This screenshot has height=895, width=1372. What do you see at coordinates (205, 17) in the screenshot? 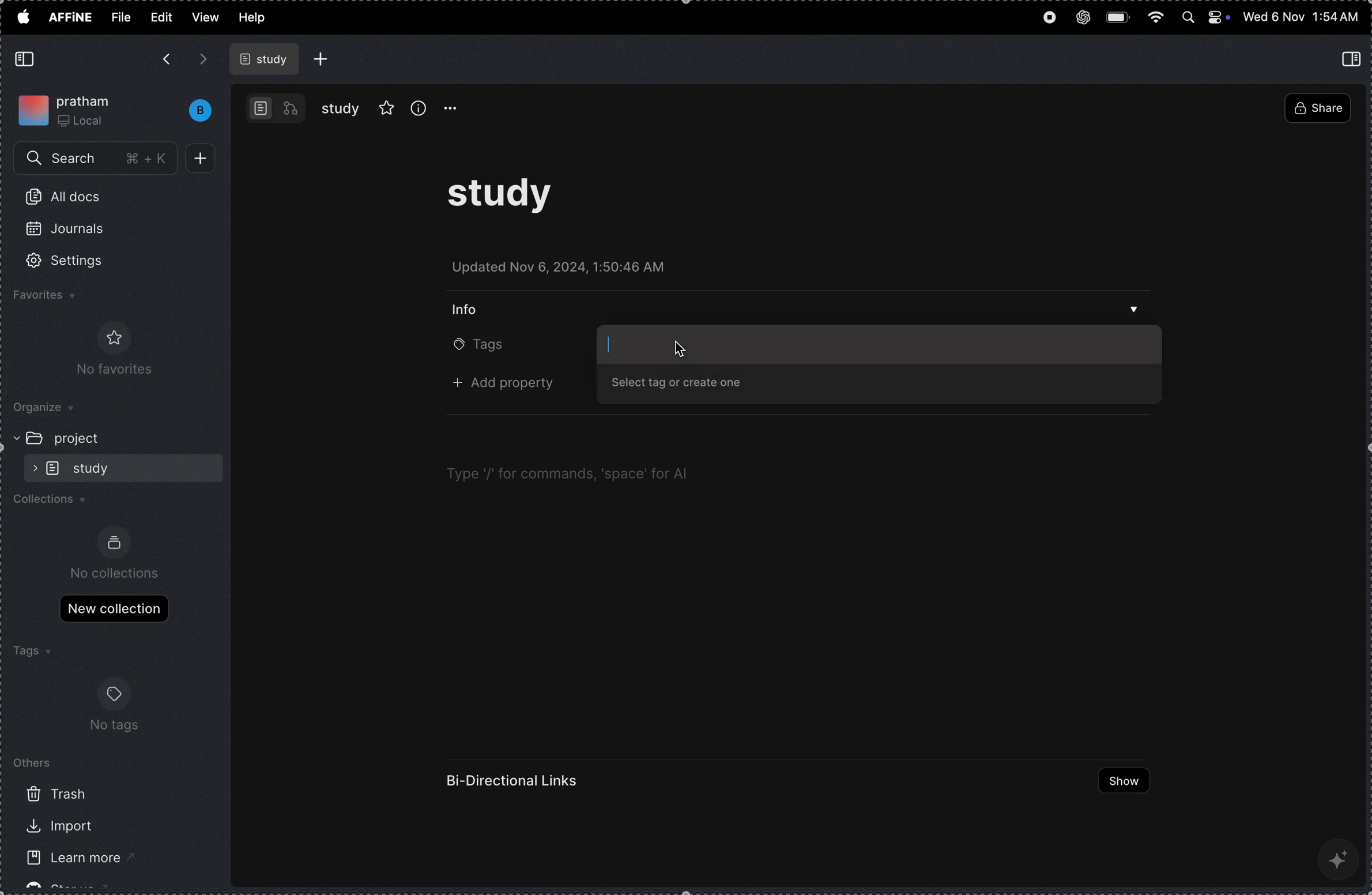
I see `view` at bounding box center [205, 17].